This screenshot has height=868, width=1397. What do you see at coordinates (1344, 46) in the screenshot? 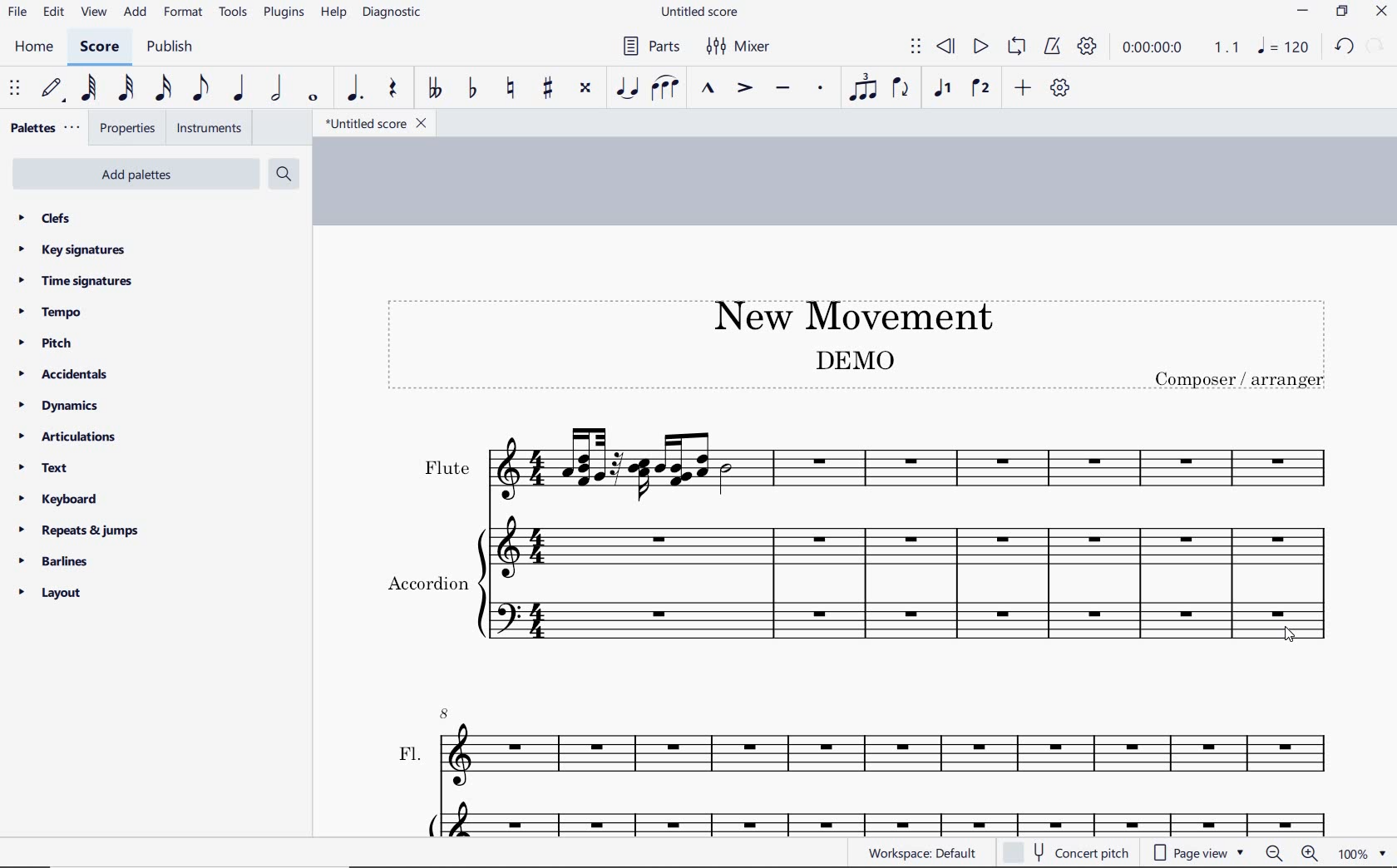
I see `redo` at bounding box center [1344, 46].